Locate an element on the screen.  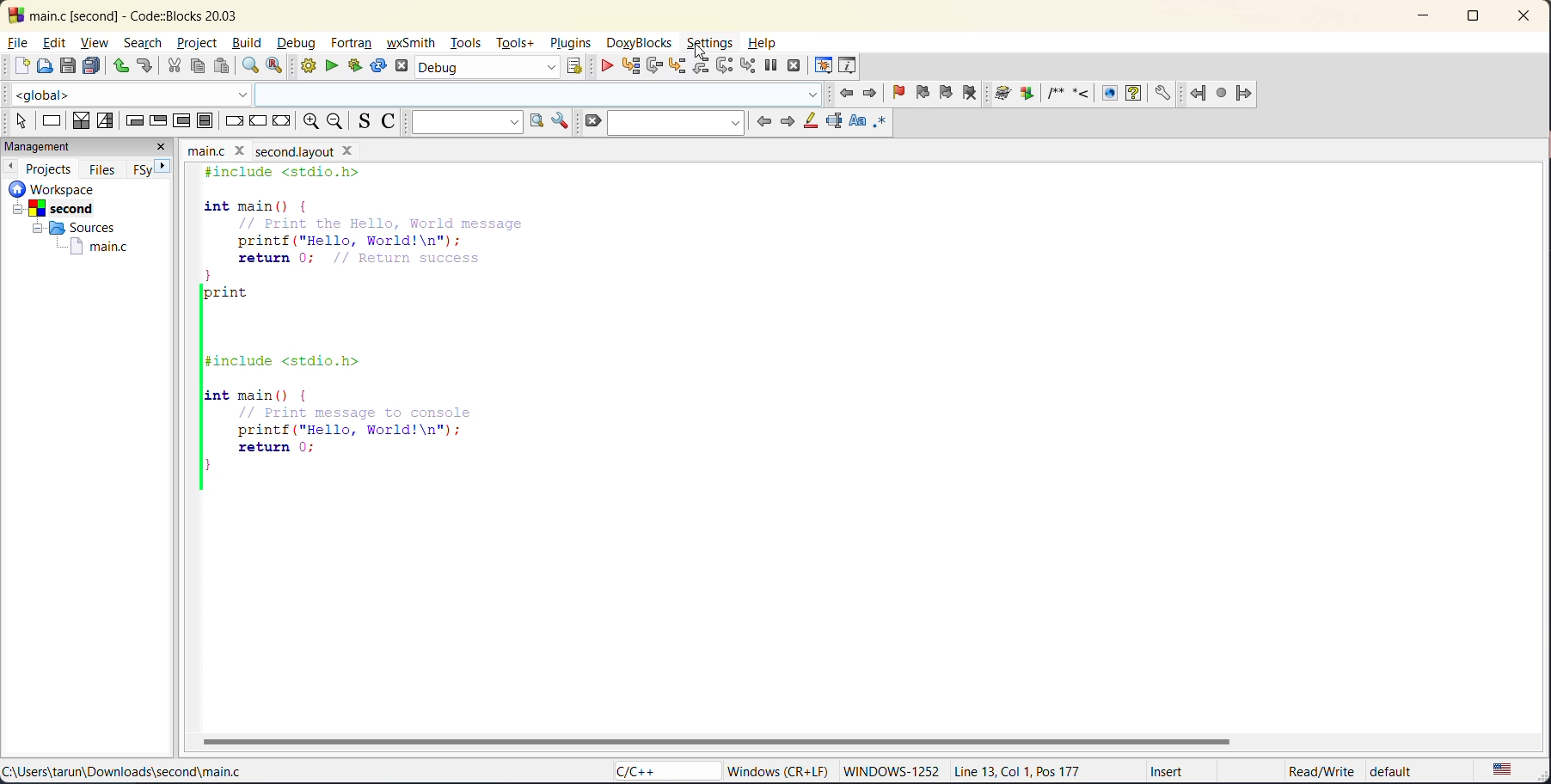
search is located at coordinates (144, 45).